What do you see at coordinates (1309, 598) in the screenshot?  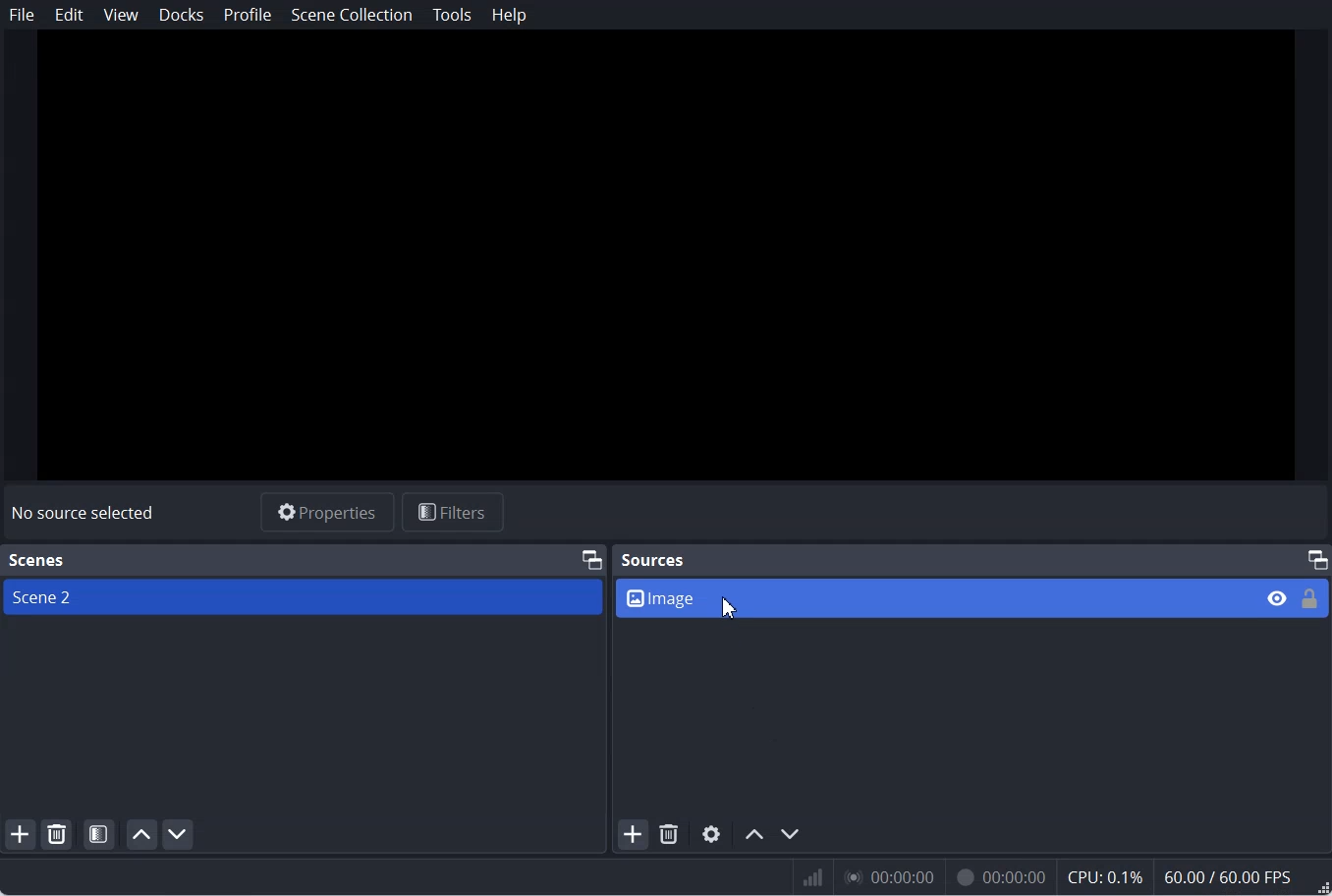 I see `Lock` at bounding box center [1309, 598].